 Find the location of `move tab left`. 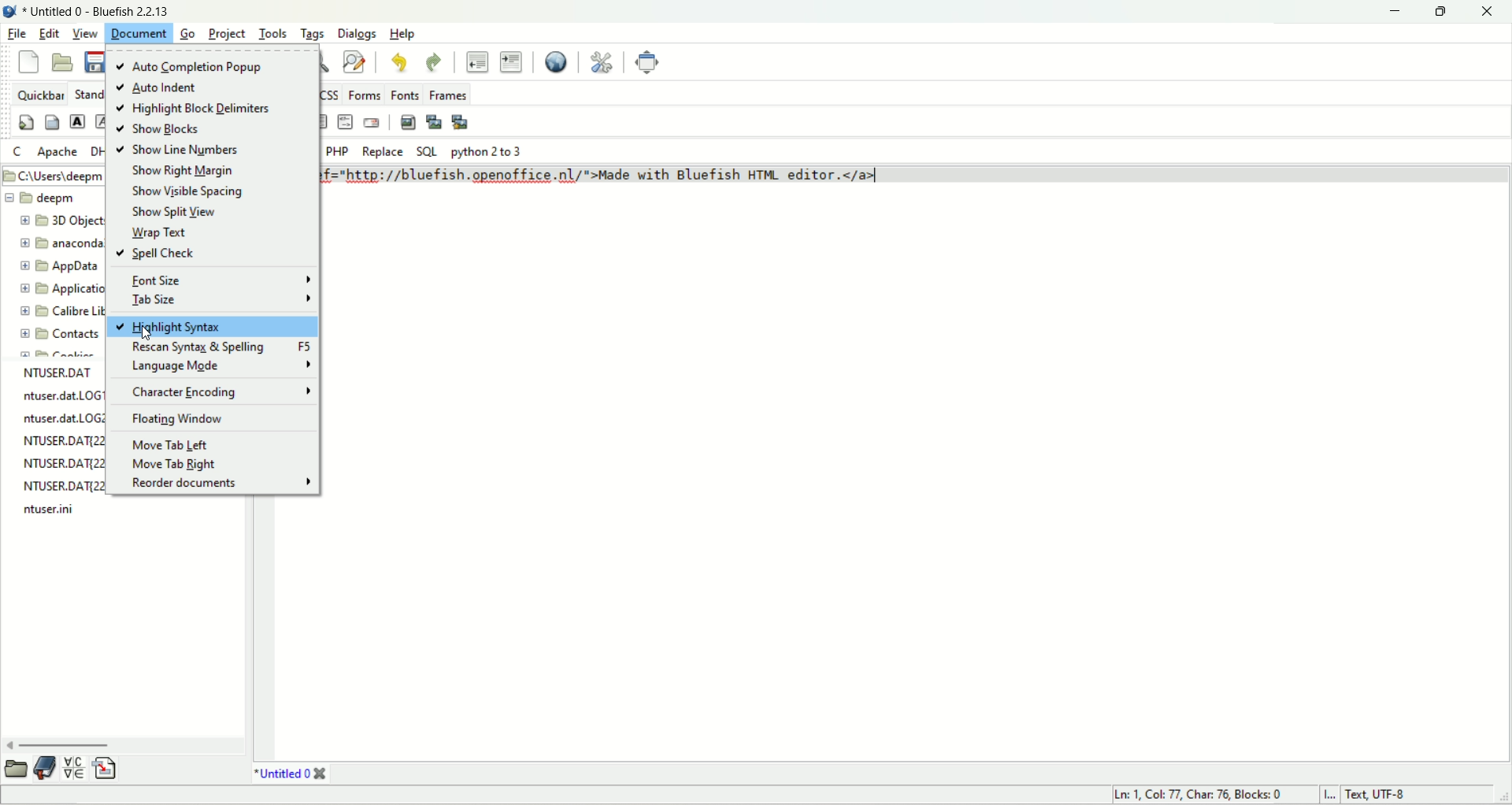

move tab left is located at coordinates (172, 445).